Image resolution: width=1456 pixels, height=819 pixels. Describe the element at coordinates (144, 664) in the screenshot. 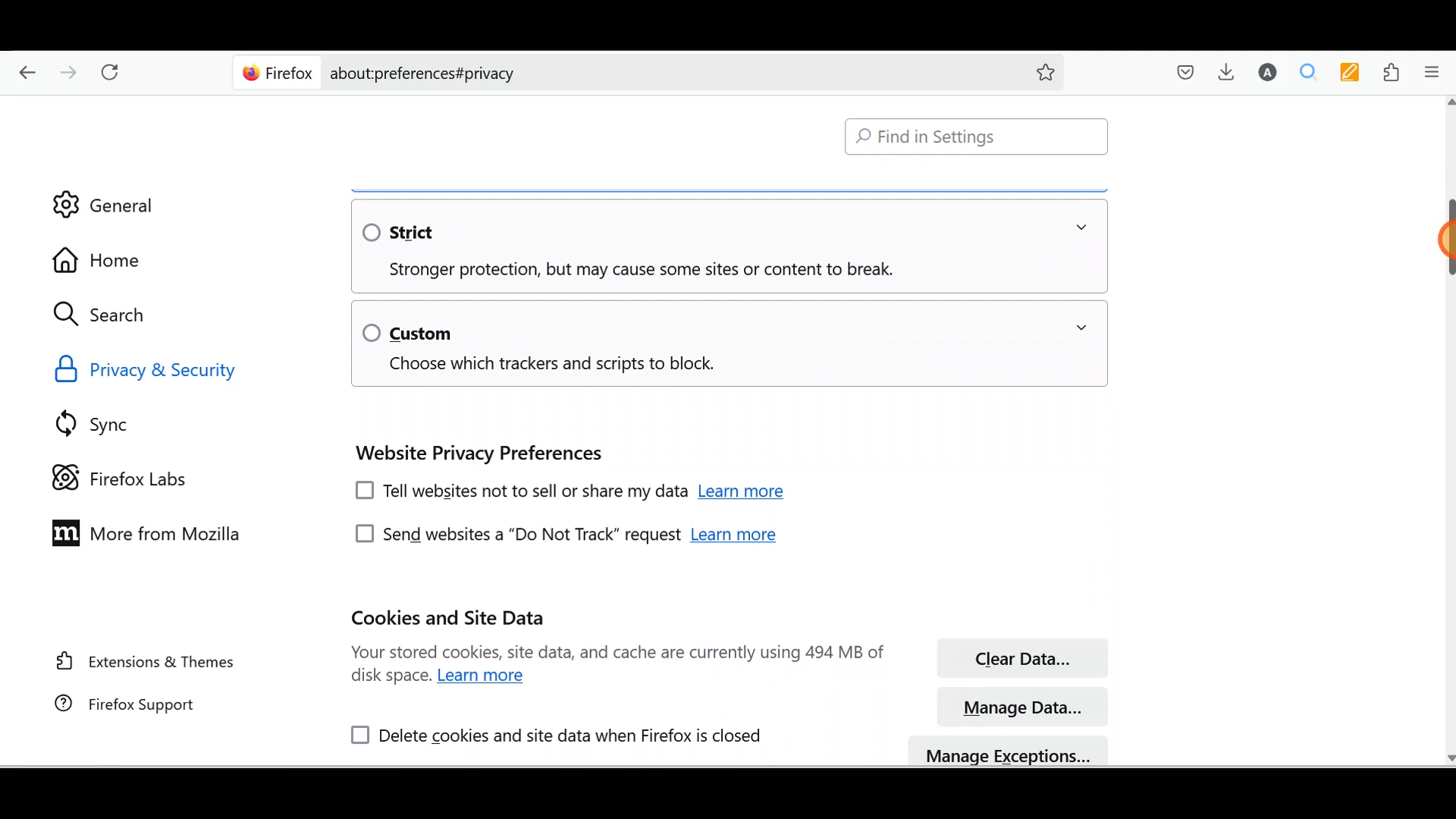

I see `Extension & themes` at that location.